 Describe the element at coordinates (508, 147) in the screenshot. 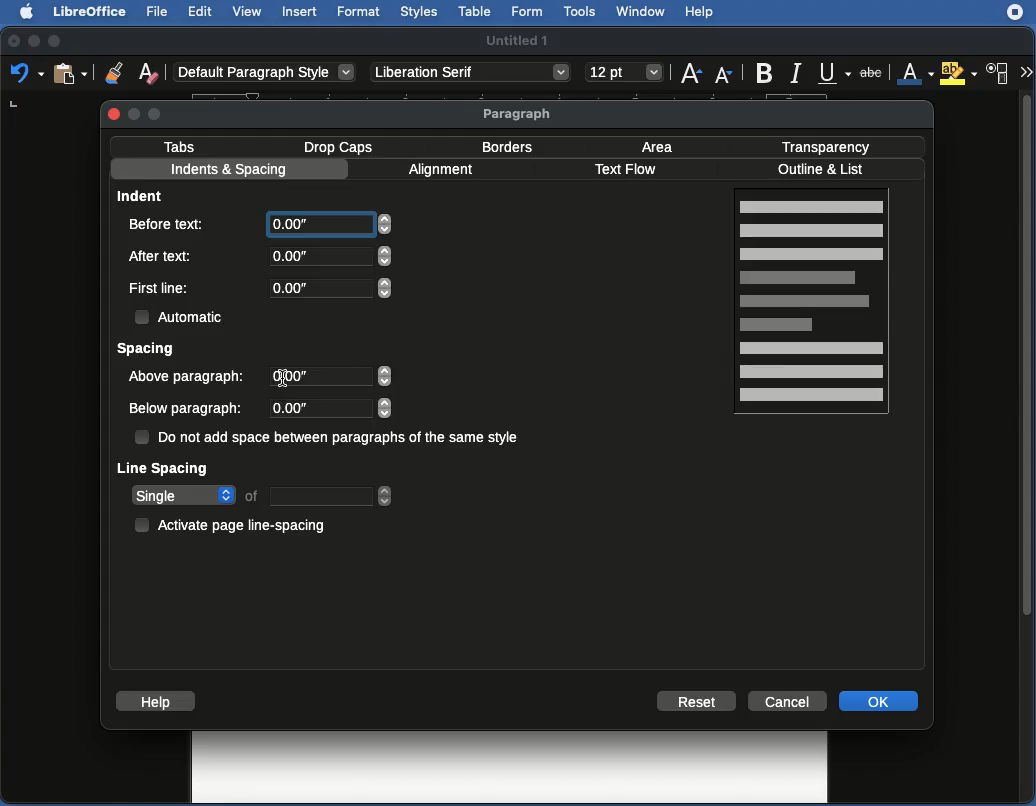

I see `Border` at that location.